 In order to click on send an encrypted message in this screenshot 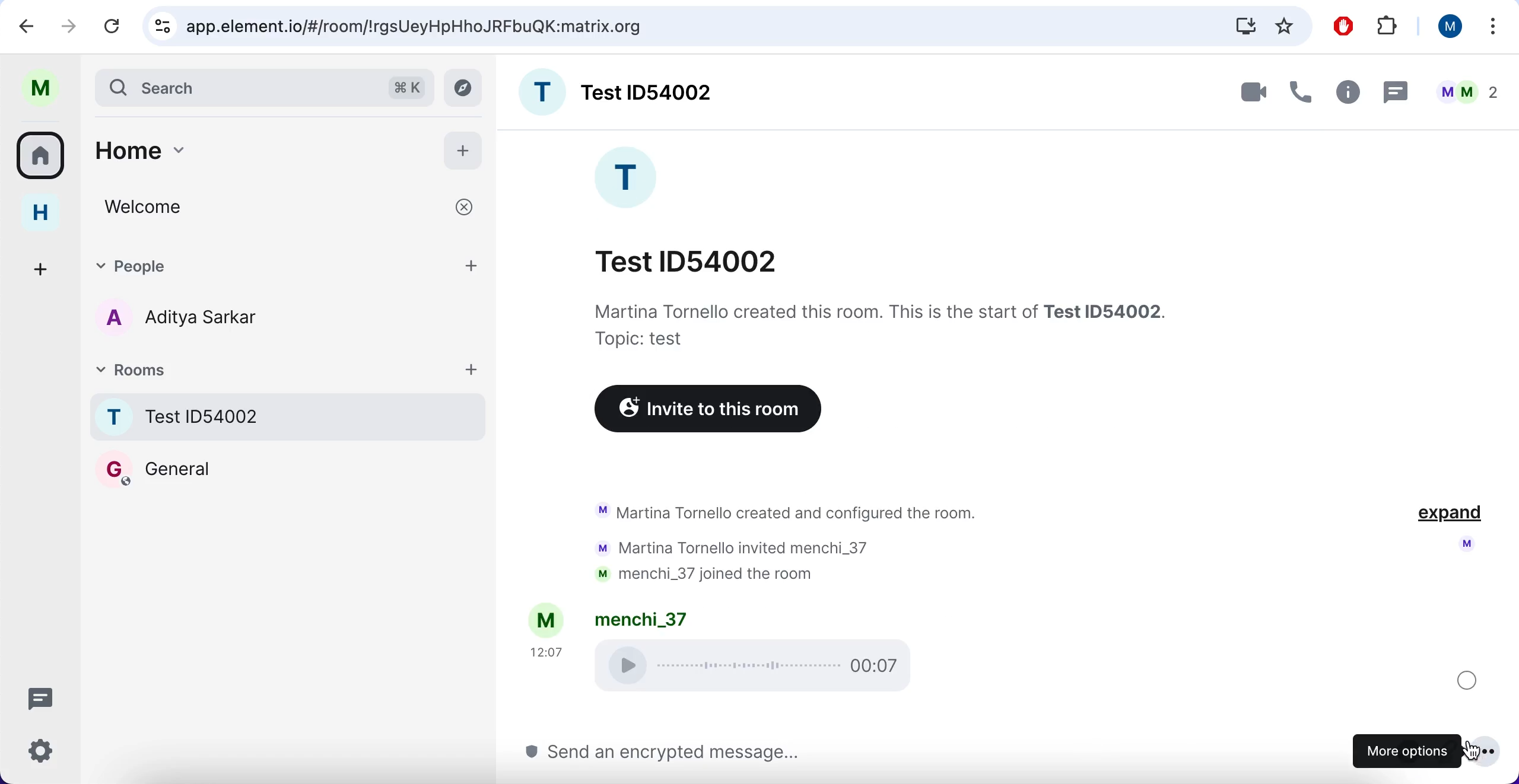, I will do `click(672, 752)`.